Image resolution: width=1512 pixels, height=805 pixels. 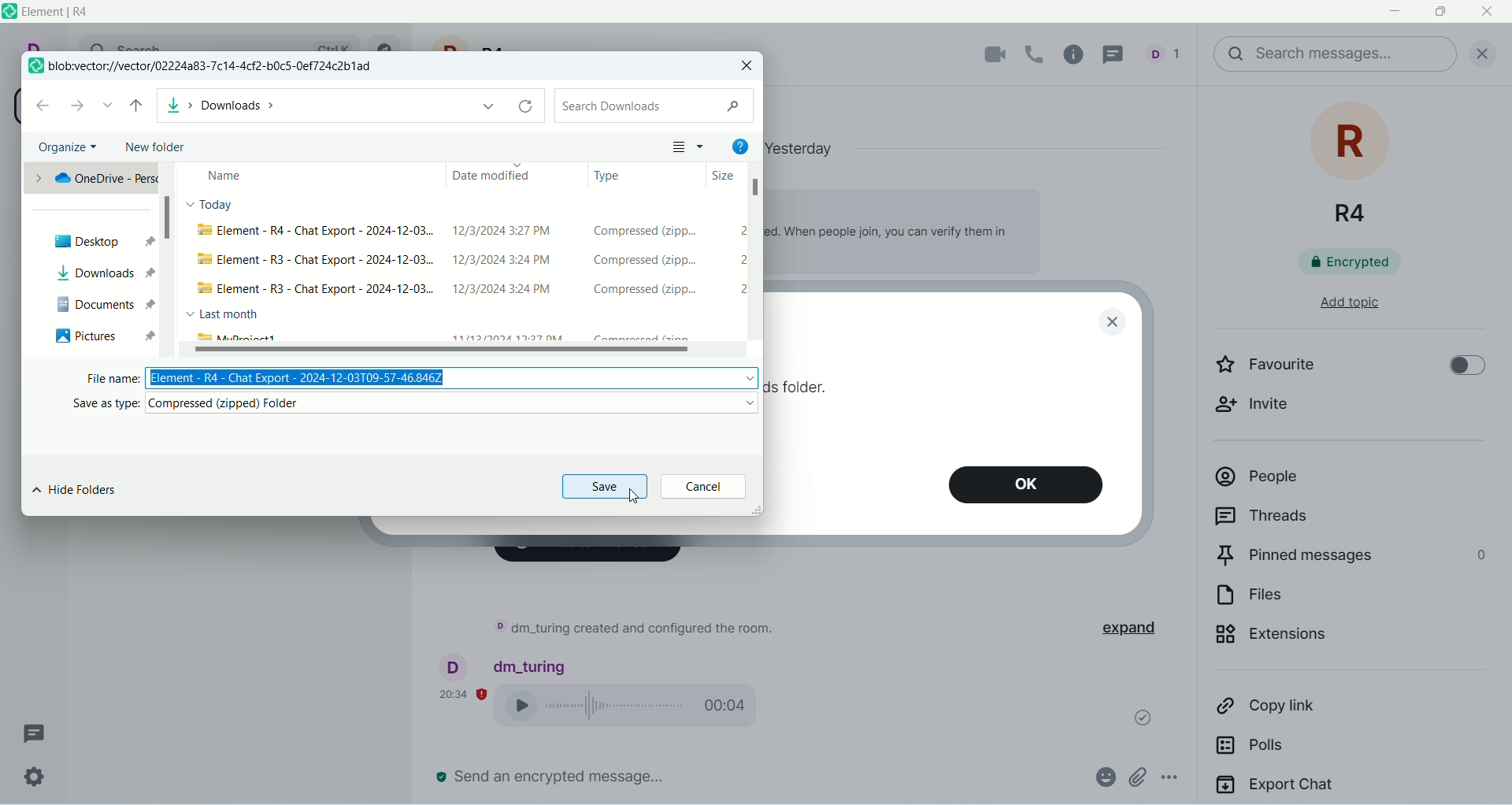 I want to click on logo, so click(x=35, y=65).